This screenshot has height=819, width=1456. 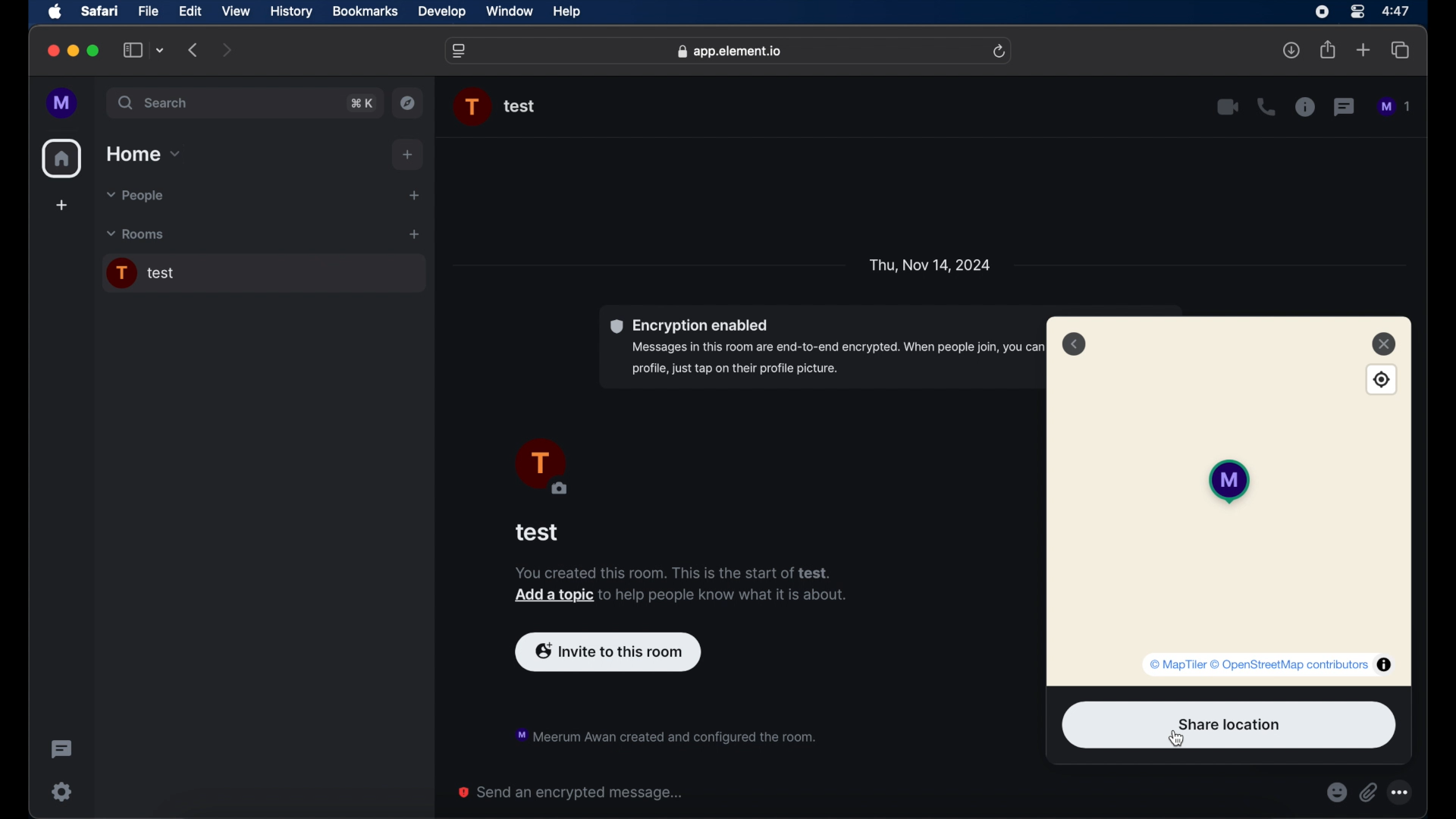 What do you see at coordinates (1336, 792) in the screenshot?
I see `Emojis` at bounding box center [1336, 792].